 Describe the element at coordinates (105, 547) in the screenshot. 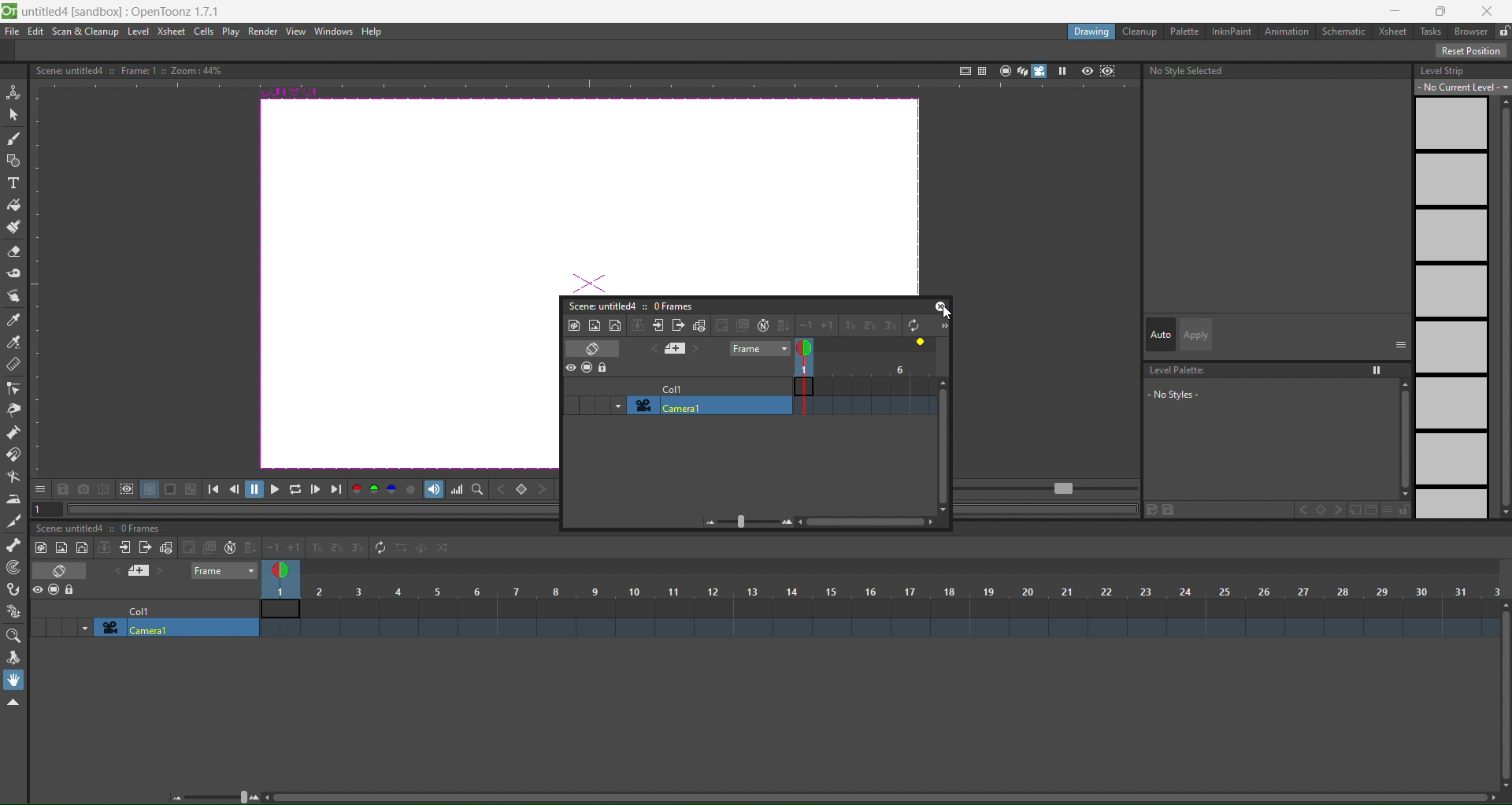

I see `collapse` at that location.